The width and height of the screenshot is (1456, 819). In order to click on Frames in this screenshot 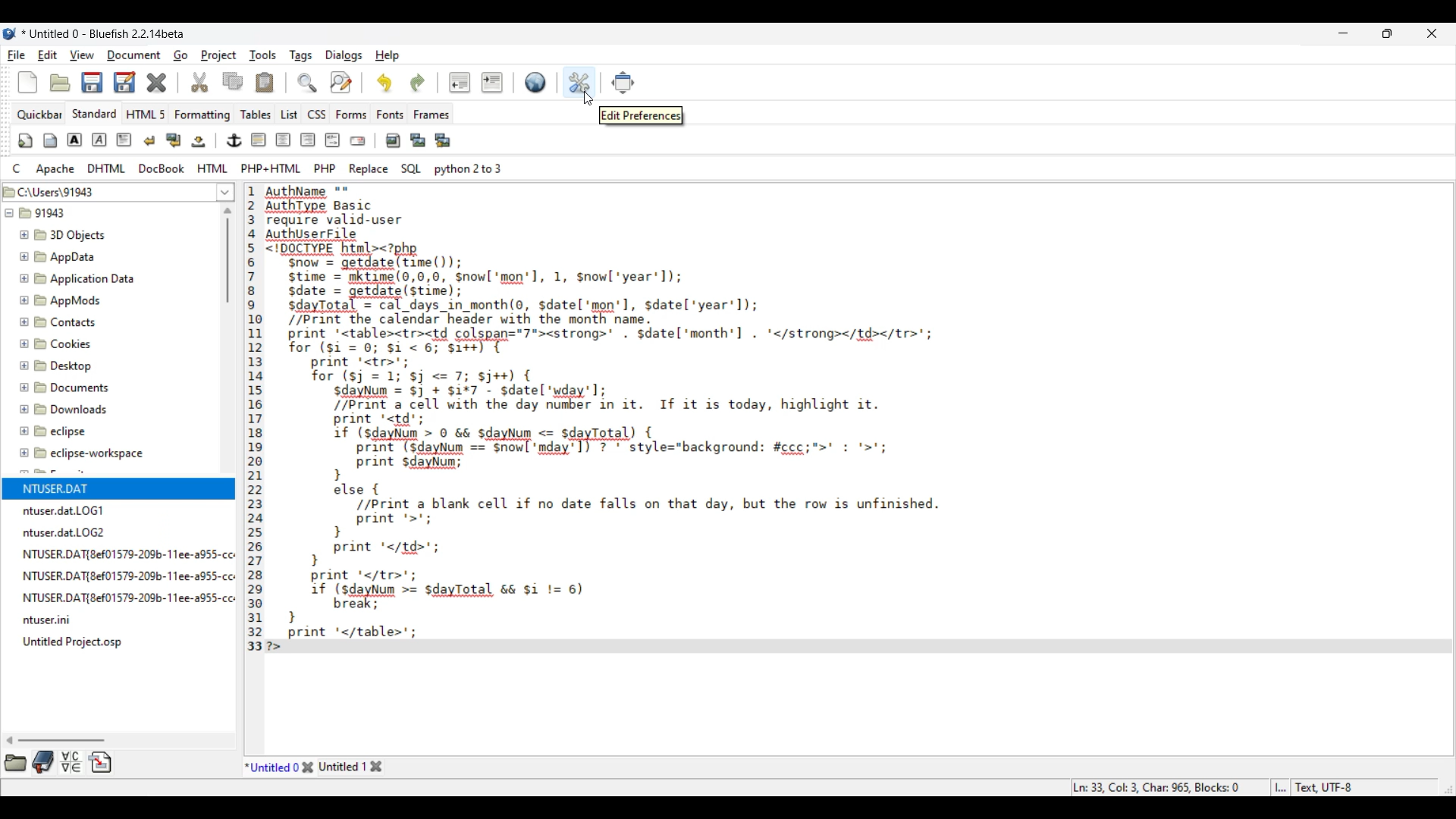, I will do `click(431, 115)`.